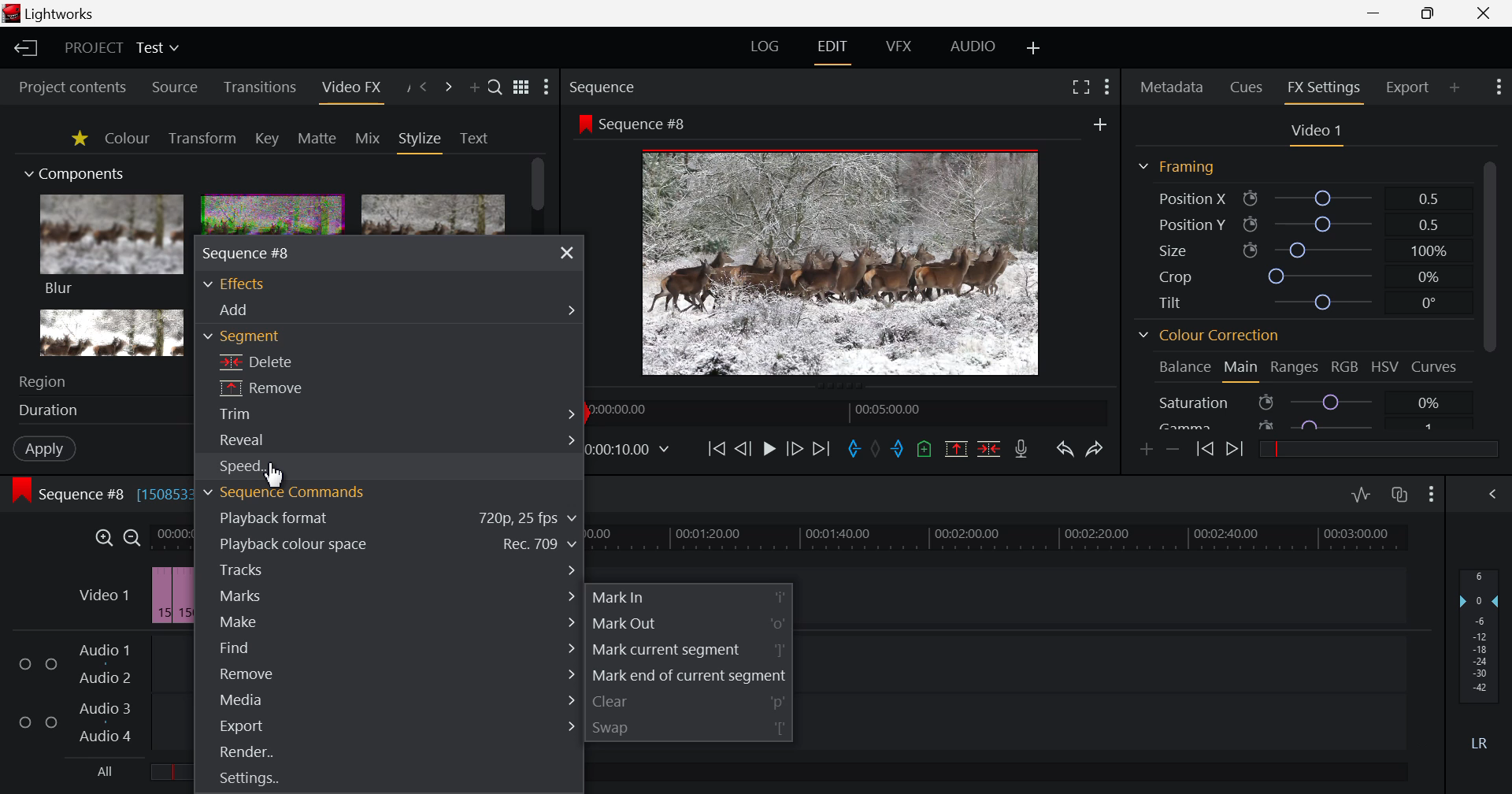 The width and height of the screenshot is (1512, 794). I want to click on Project Timeline Navigator, so click(844, 410).